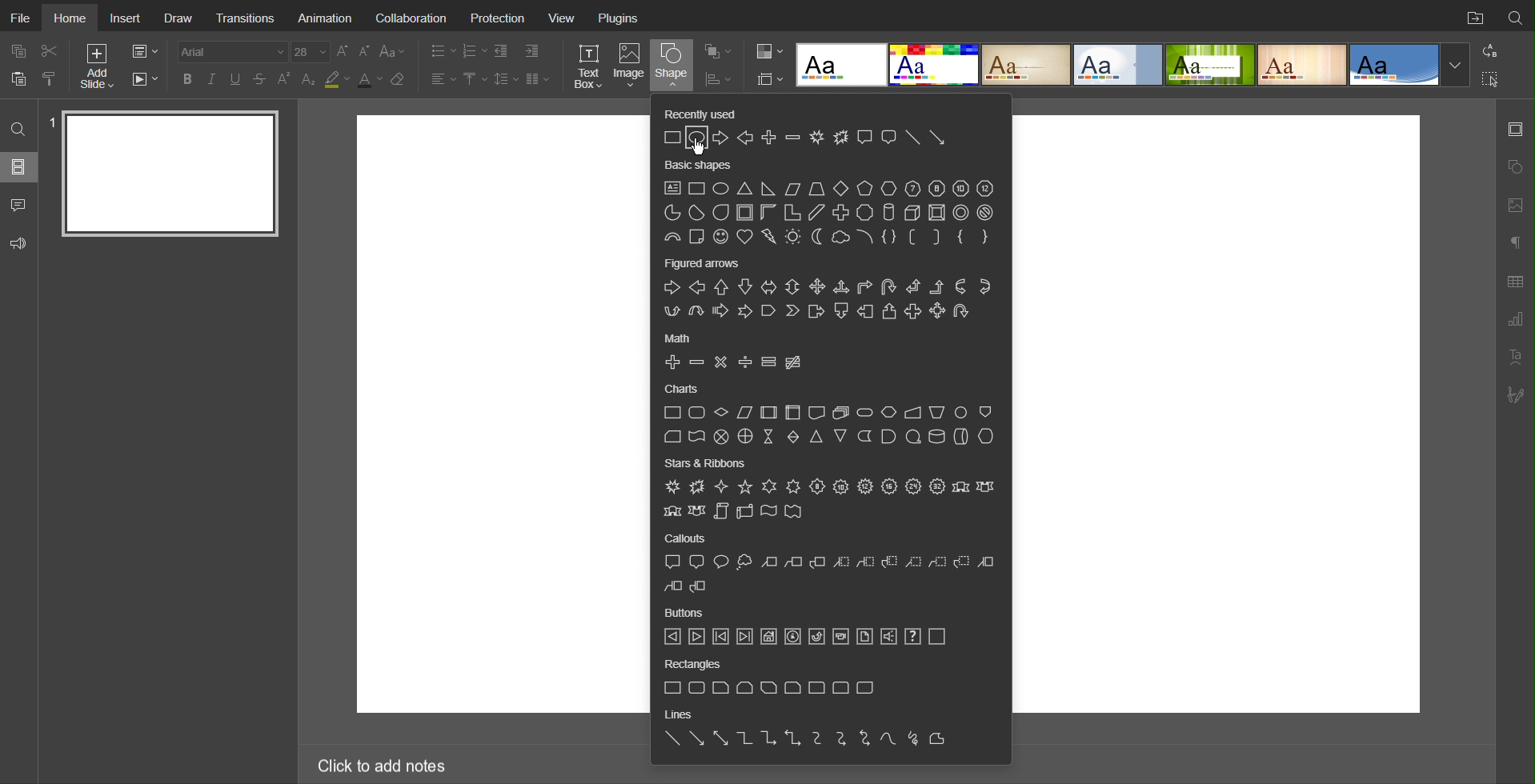  What do you see at coordinates (401, 80) in the screenshot?
I see `Erase` at bounding box center [401, 80].